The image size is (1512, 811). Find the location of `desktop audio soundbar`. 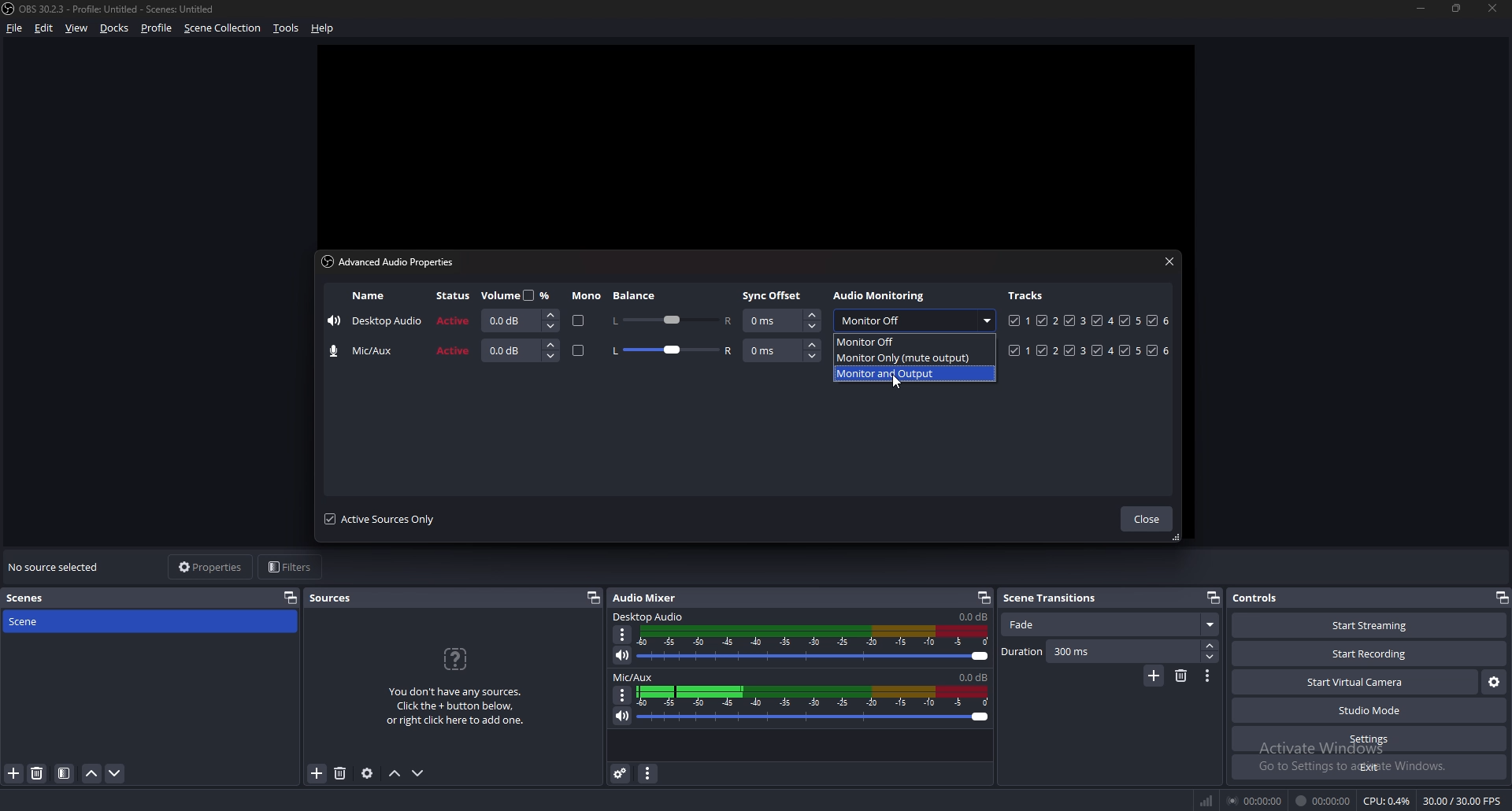

desktop audio soundbar is located at coordinates (817, 644).